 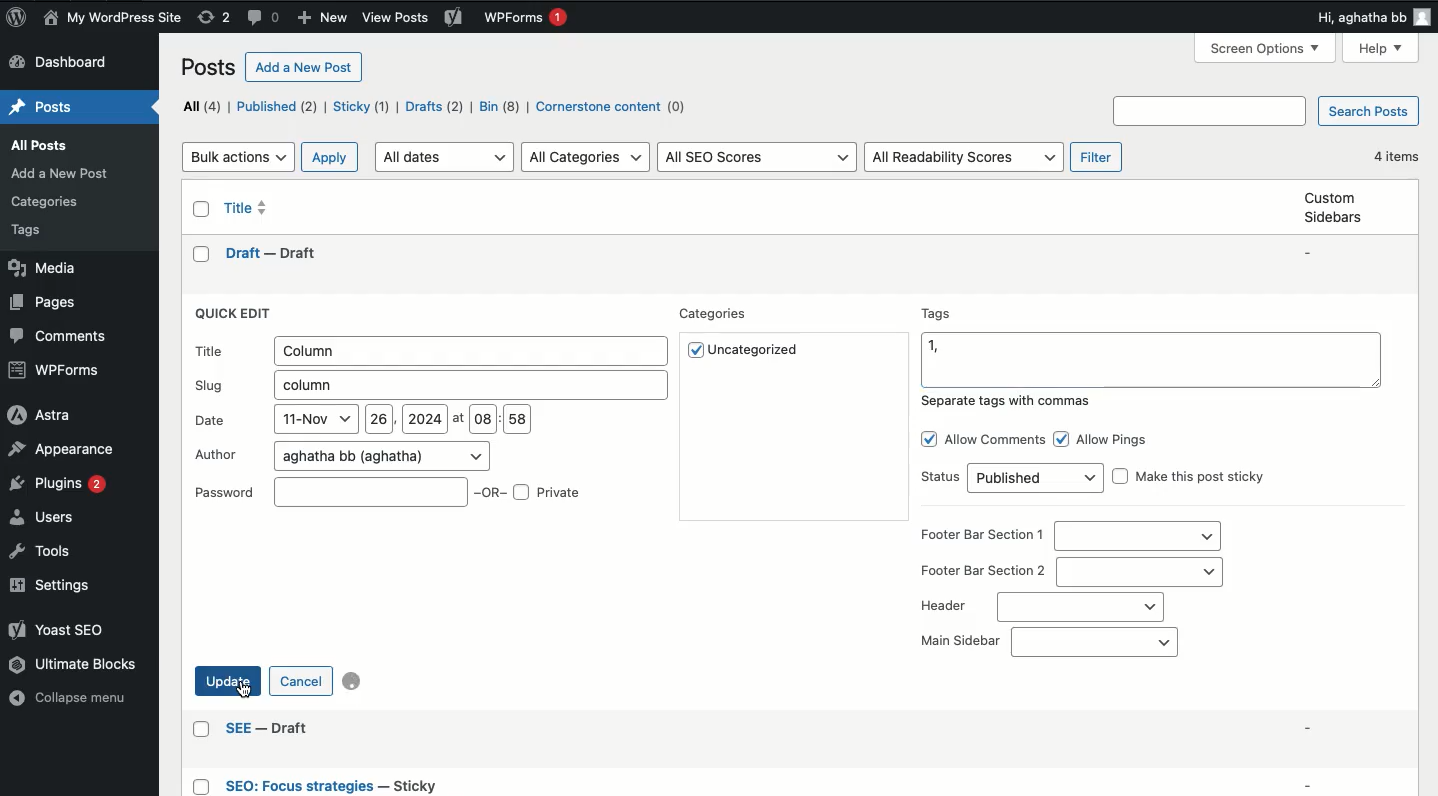 I want to click on Bulk actions, so click(x=238, y=156).